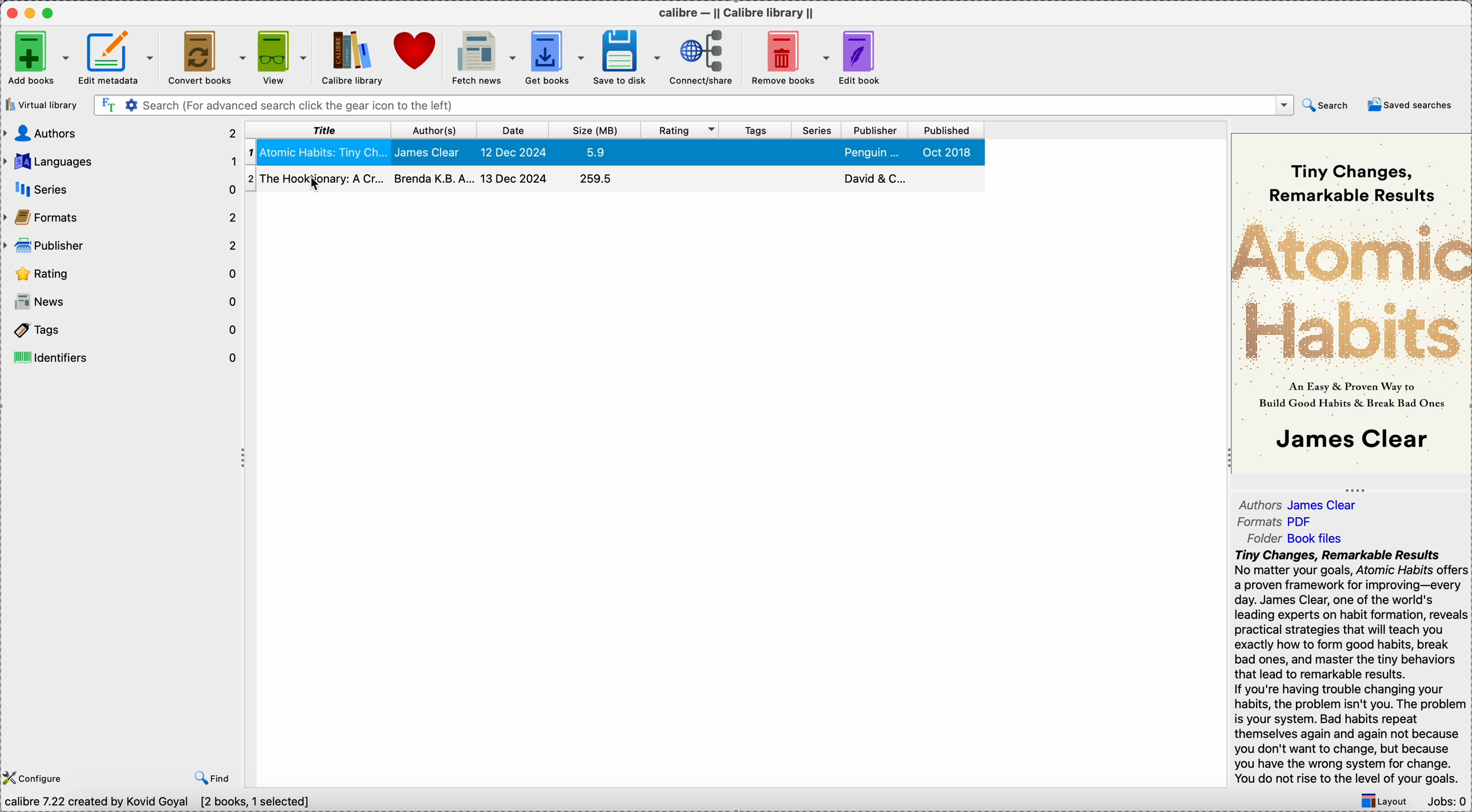 Image resolution: width=1472 pixels, height=812 pixels. I want to click on rating, so click(682, 130).